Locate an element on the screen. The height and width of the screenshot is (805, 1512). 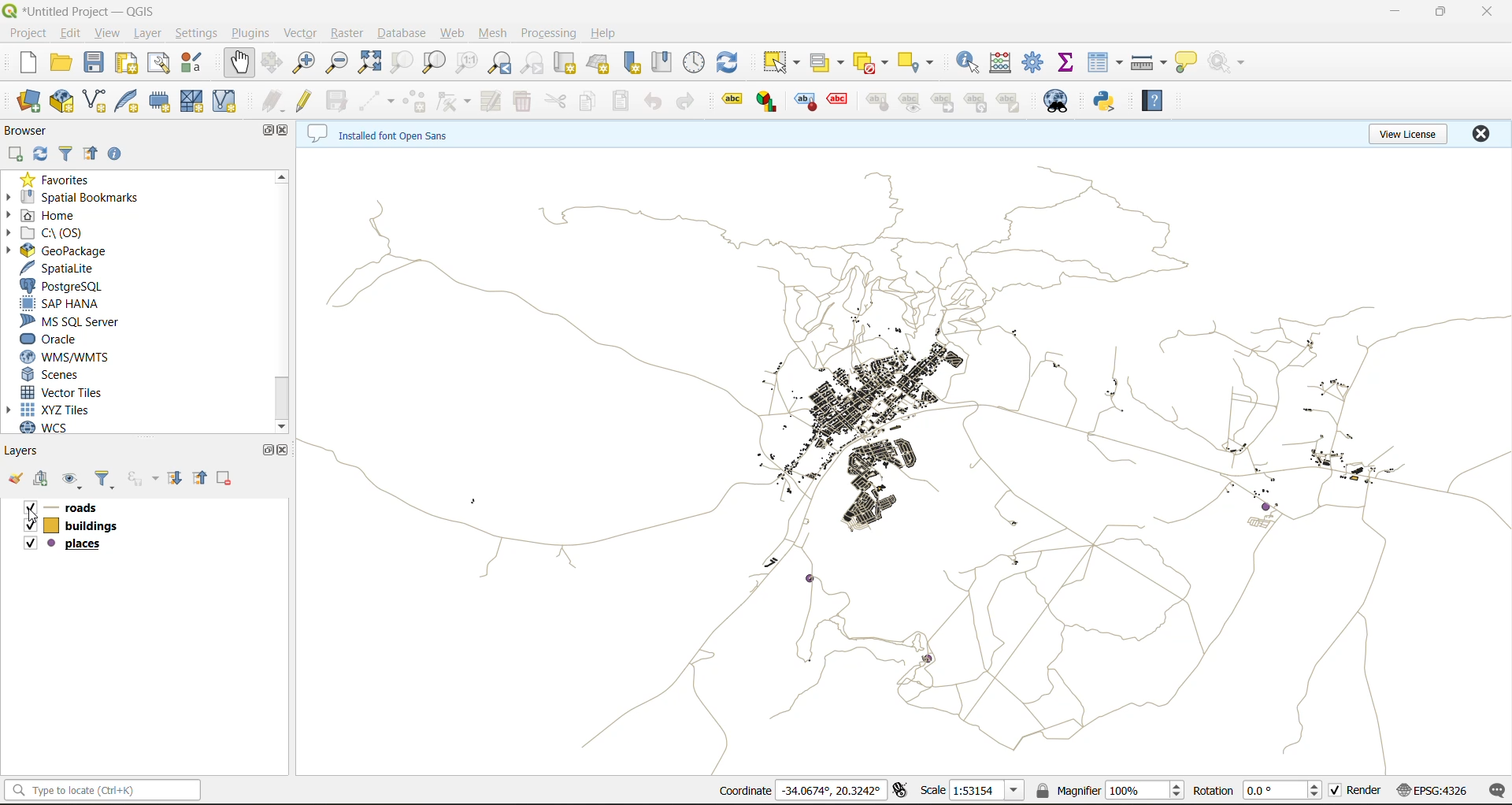
mesh is located at coordinates (494, 32).